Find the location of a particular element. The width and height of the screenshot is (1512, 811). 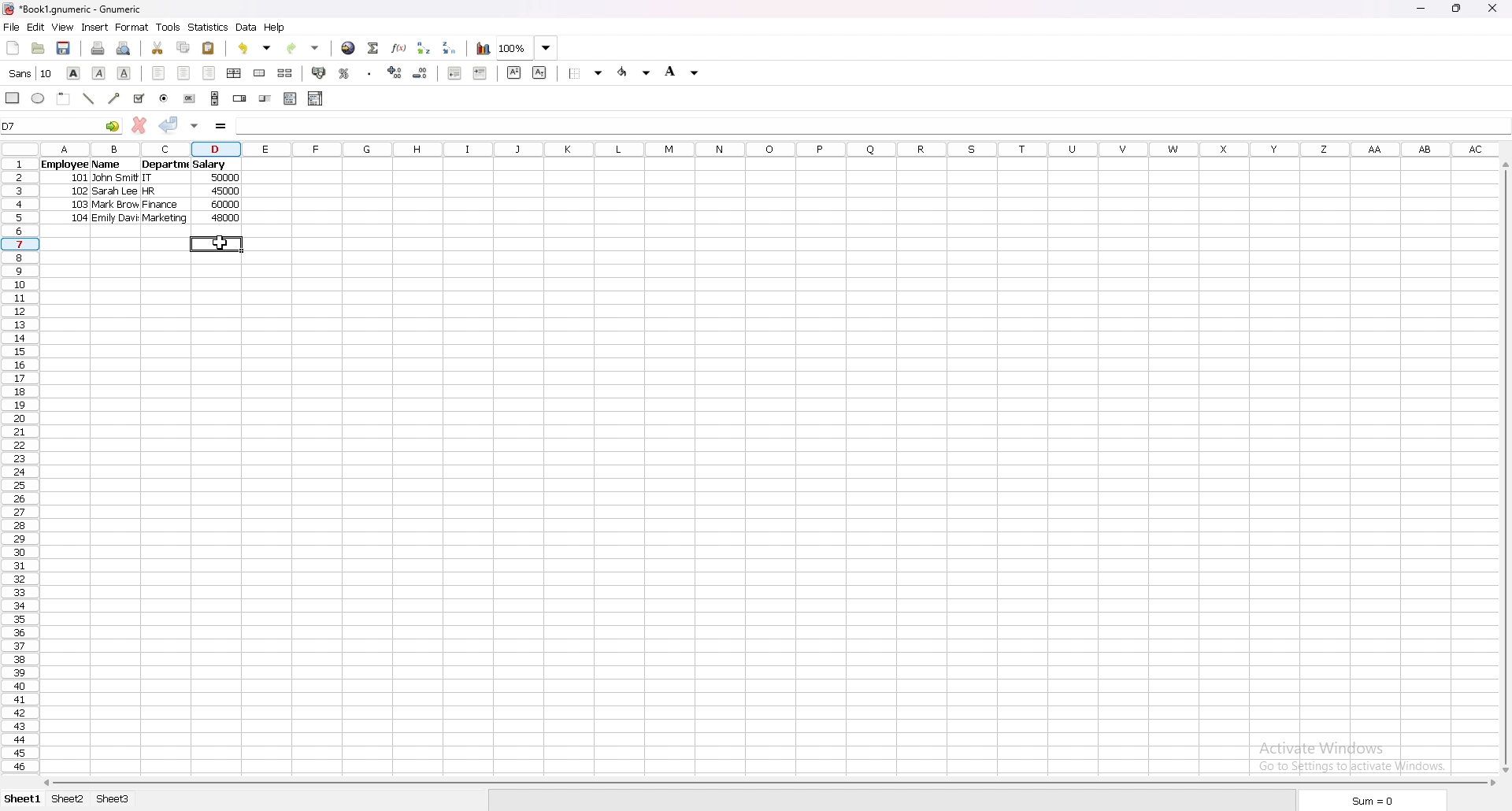

scroll bar is located at coordinates (215, 98).